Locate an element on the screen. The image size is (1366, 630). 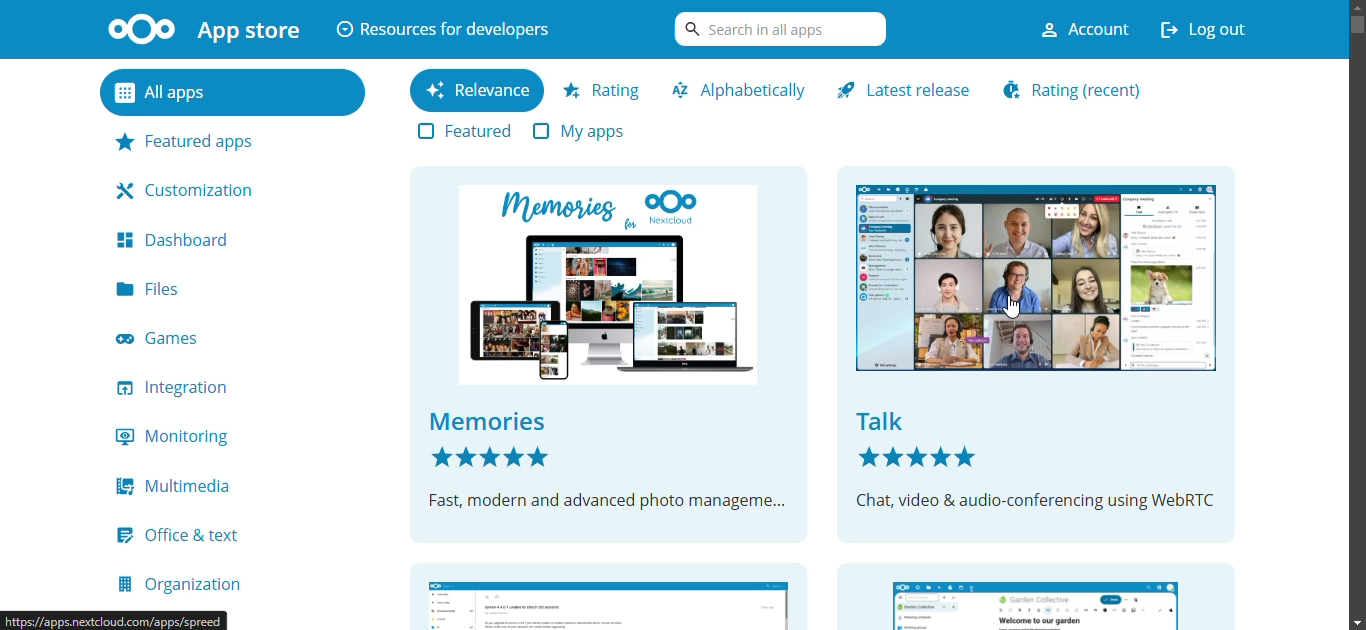
resources for developers is located at coordinates (444, 27).